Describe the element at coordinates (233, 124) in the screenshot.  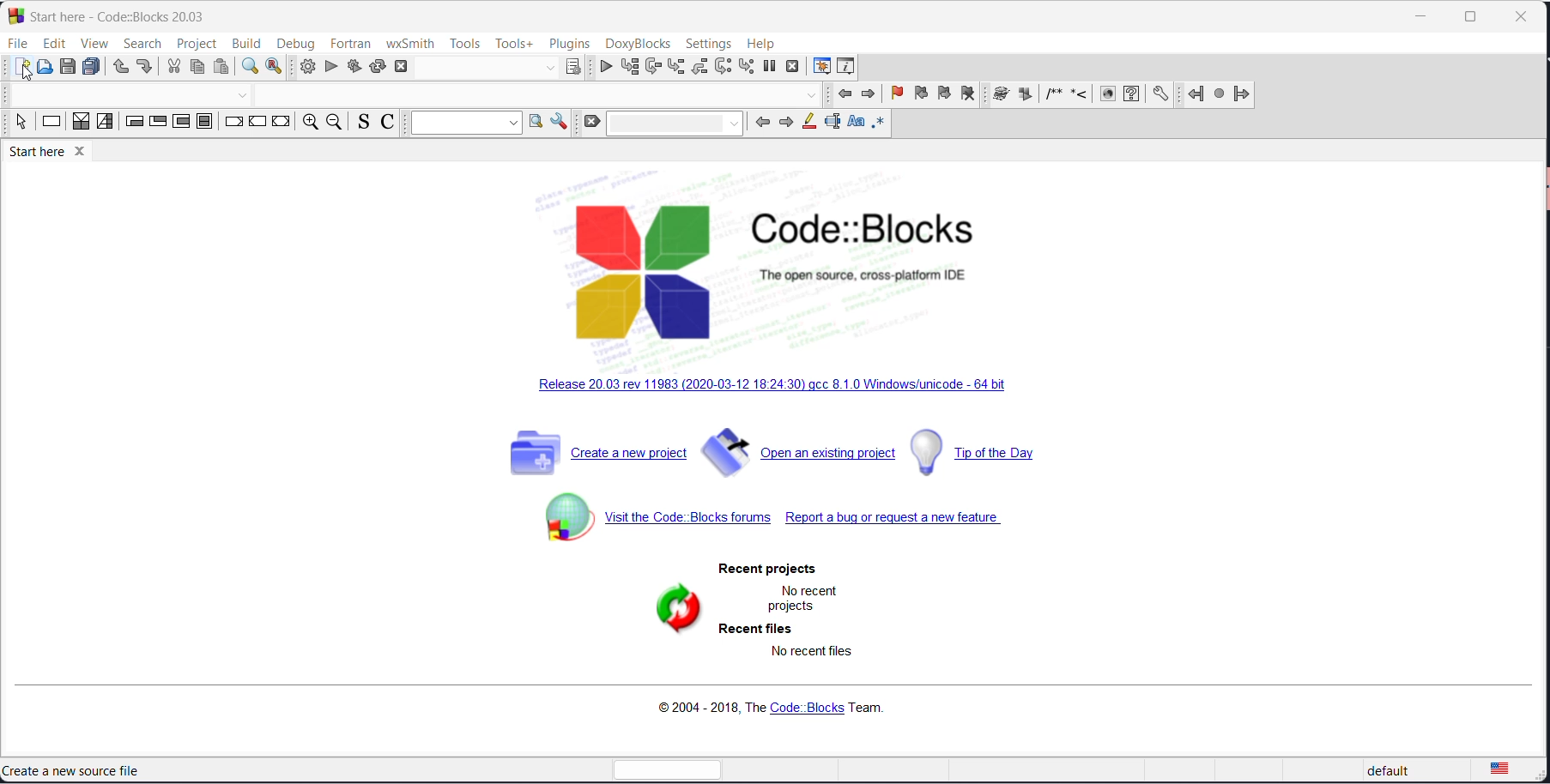
I see `break instruction` at that location.